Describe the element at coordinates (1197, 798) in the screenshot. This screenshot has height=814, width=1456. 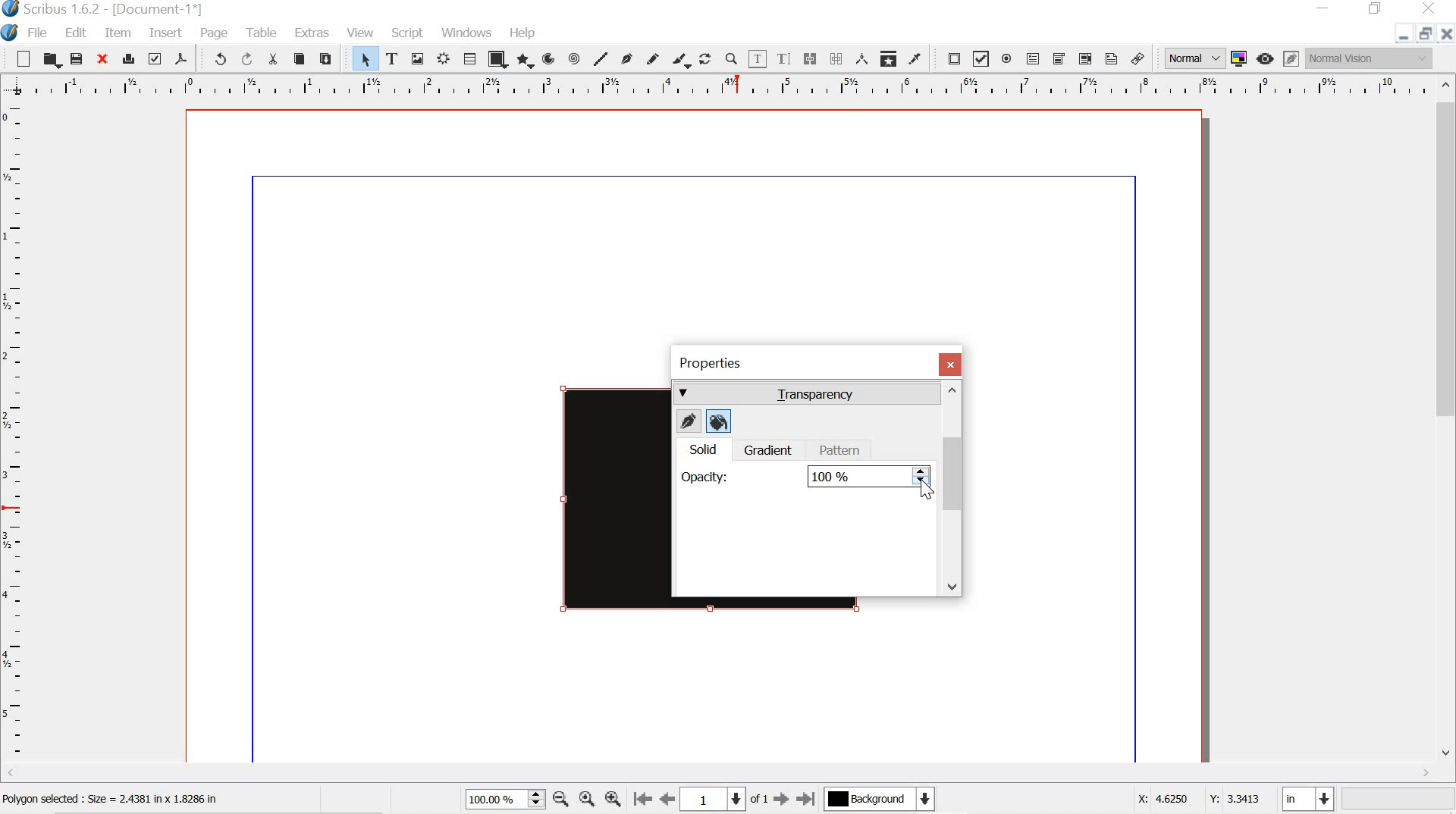
I see `x: 4.6250  y:3.3413` at that location.